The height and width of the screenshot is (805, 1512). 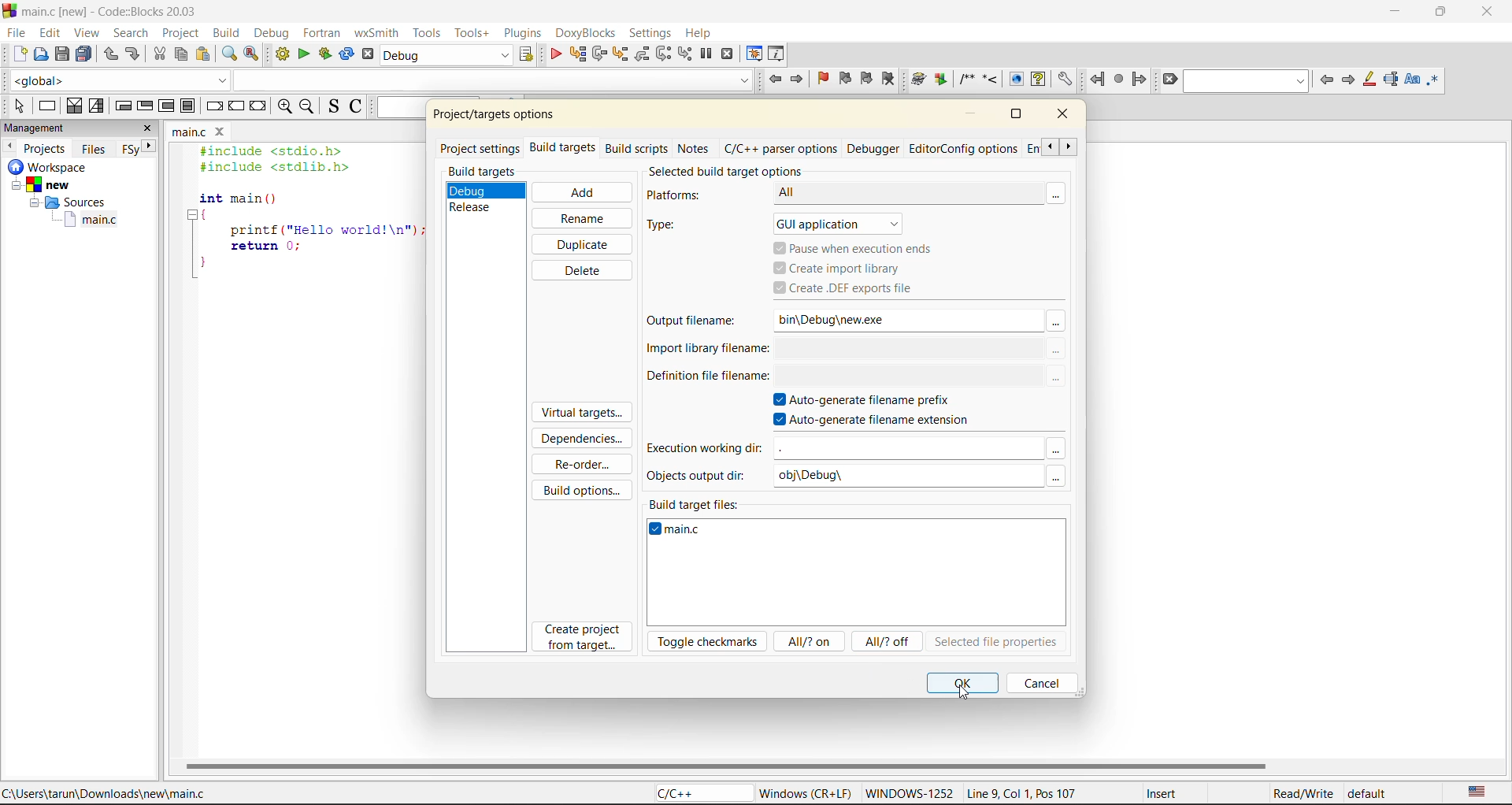 I want to click on close, so click(x=220, y=131).